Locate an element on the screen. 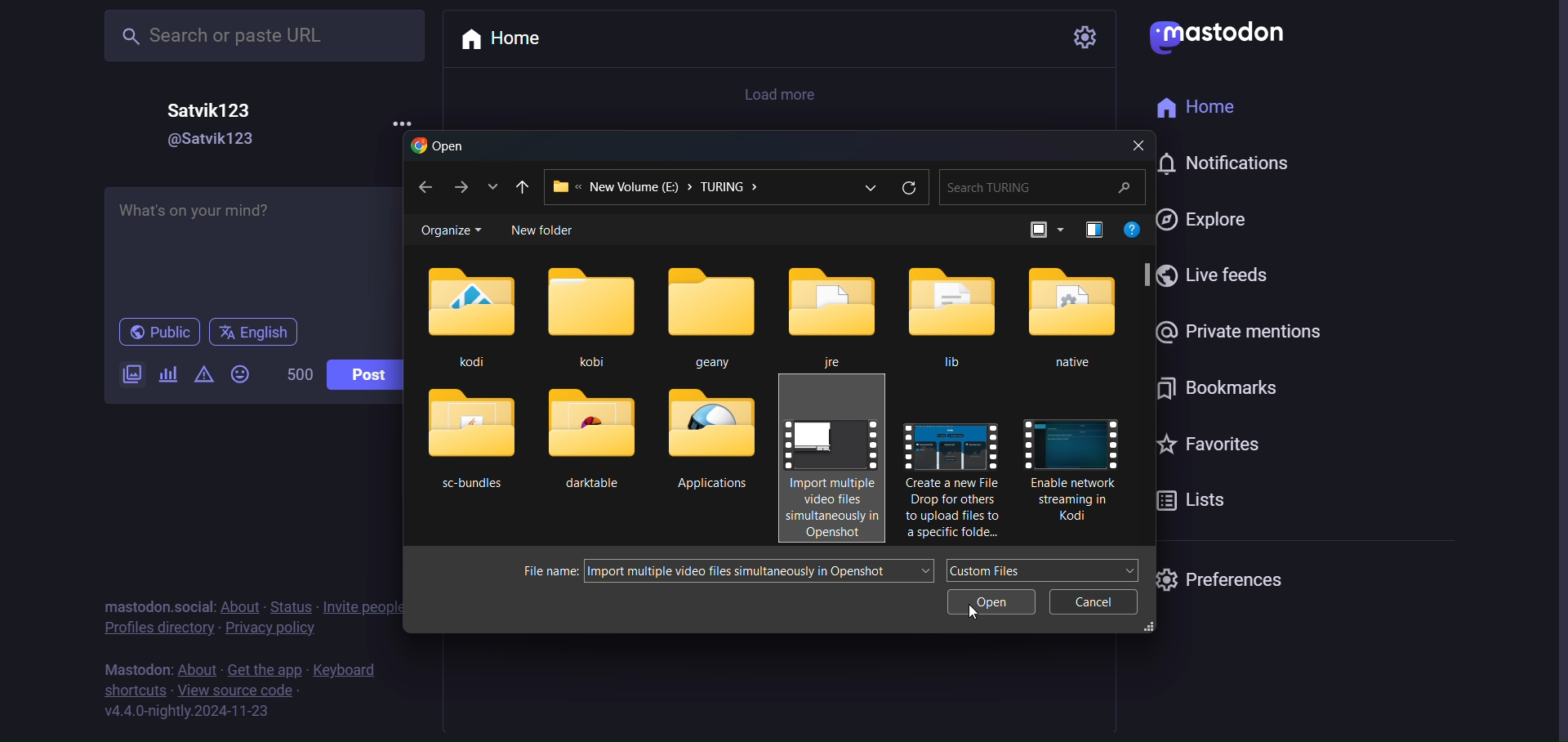 The image size is (1568, 742). What's on your mind? is located at coordinates (247, 244).